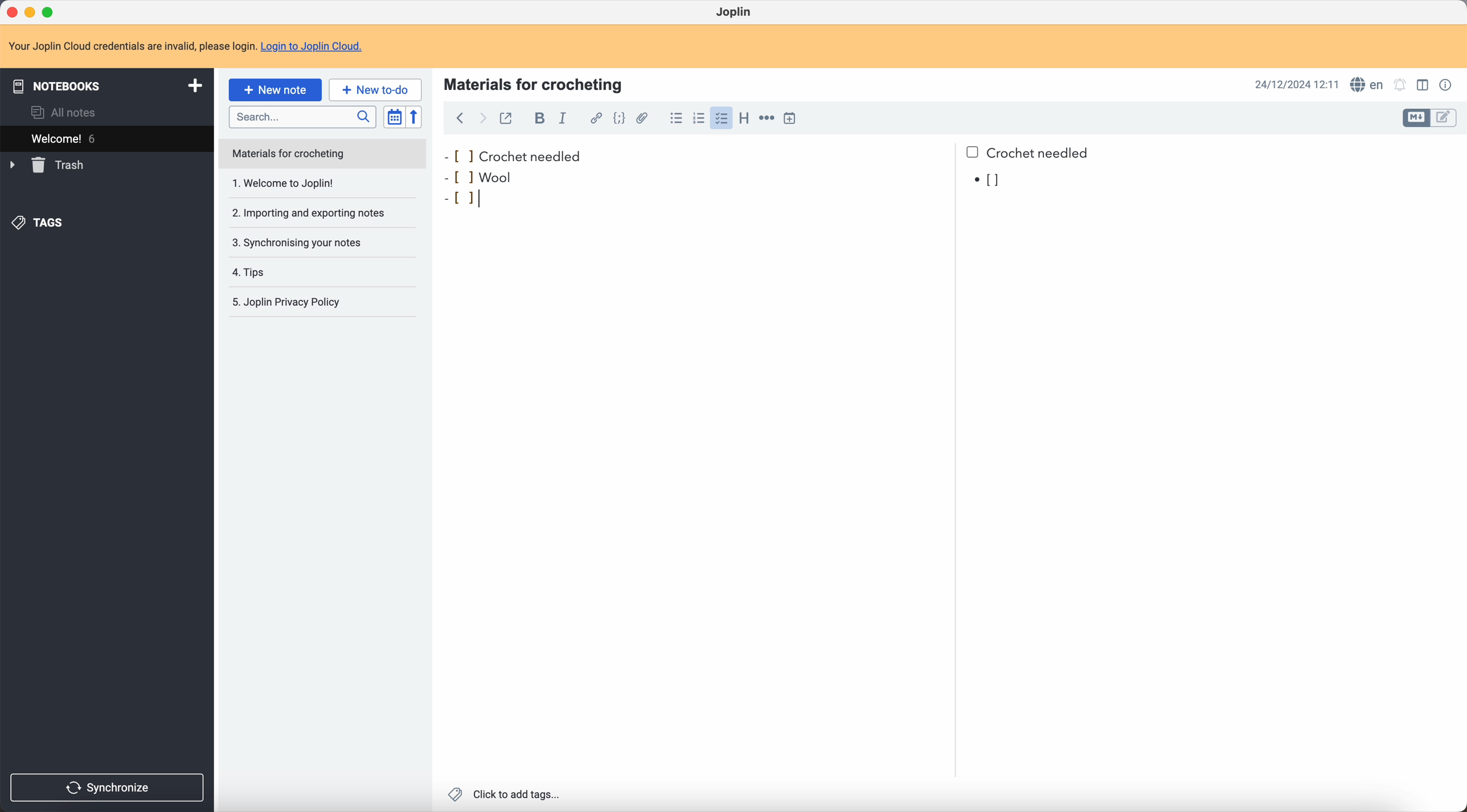 Image resolution: width=1467 pixels, height=812 pixels. What do you see at coordinates (186, 46) in the screenshot?
I see `note` at bounding box center [186, 46].